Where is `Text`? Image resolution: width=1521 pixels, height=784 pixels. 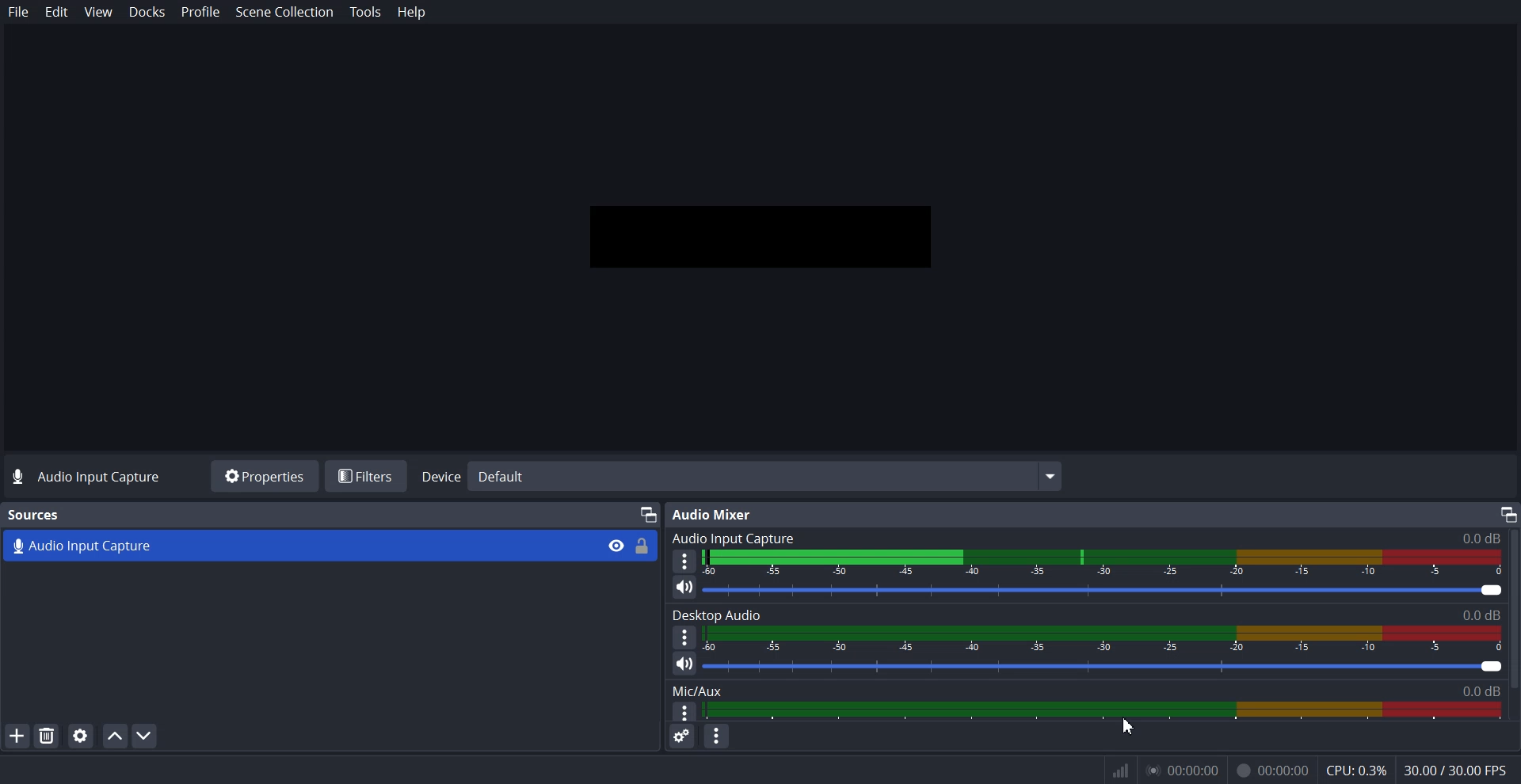
Text is located at coordinates (1092, 613).